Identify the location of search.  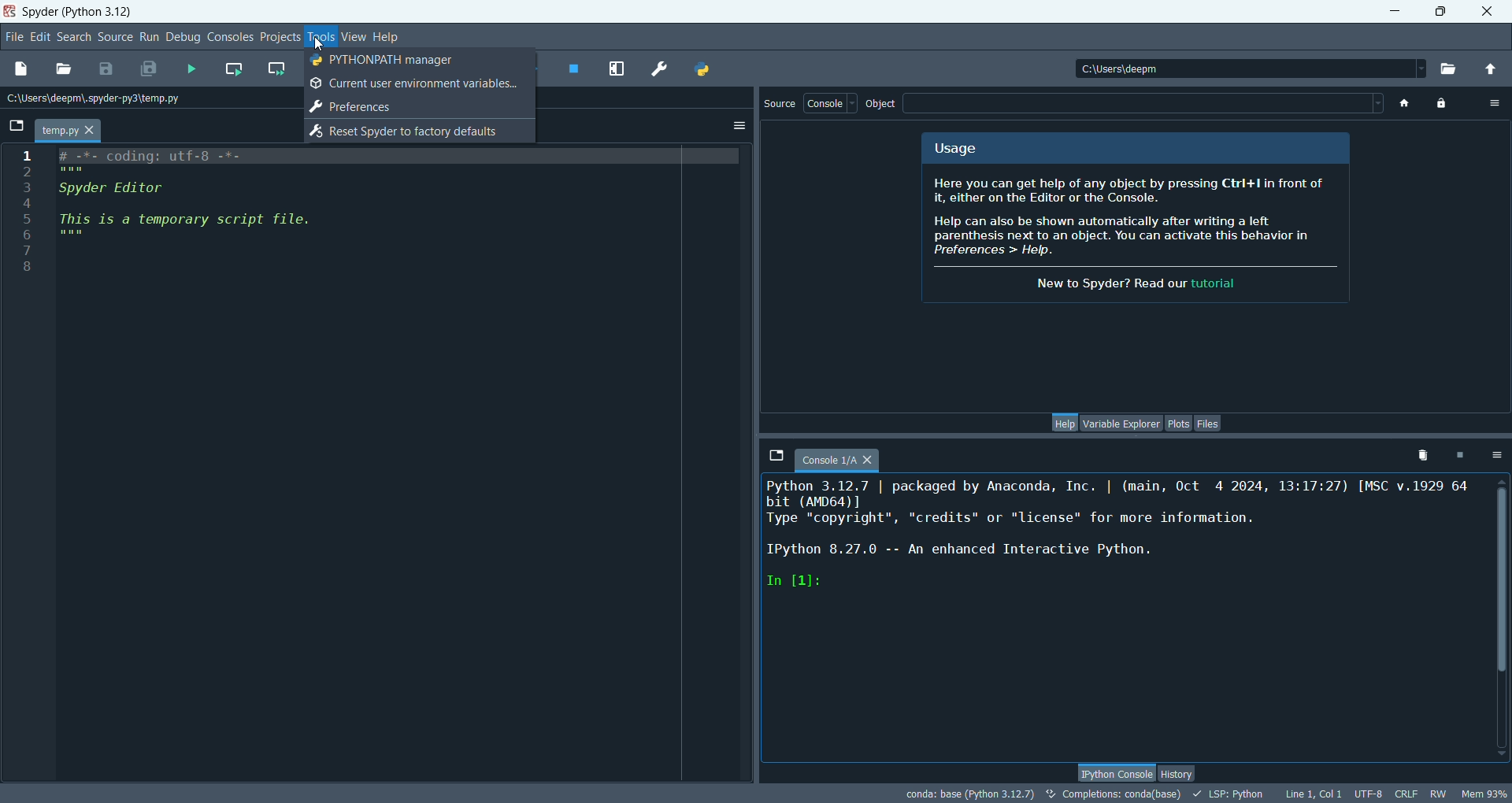
(72, 39).